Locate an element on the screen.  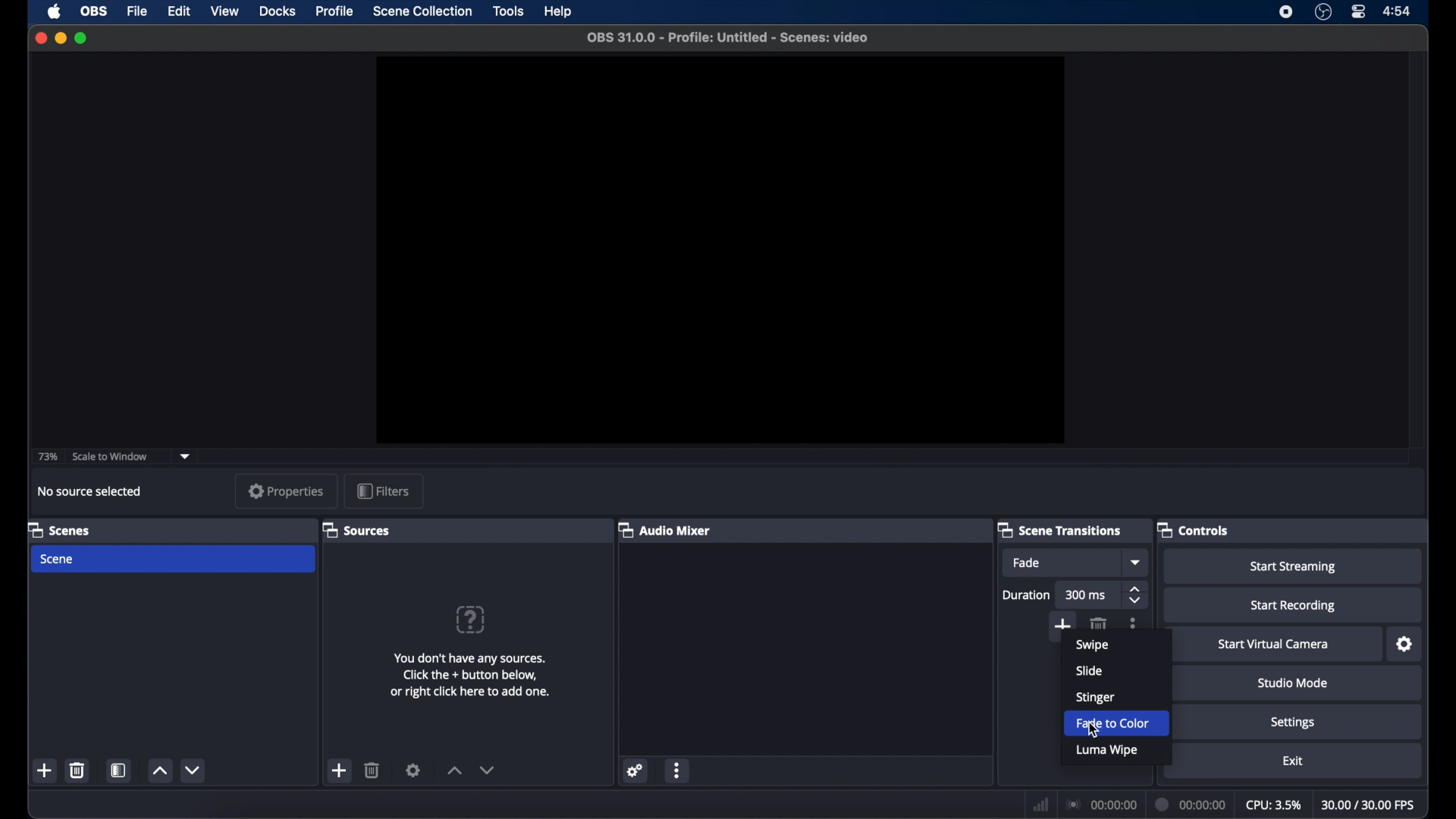
settings is located at coordinates (413, 770).